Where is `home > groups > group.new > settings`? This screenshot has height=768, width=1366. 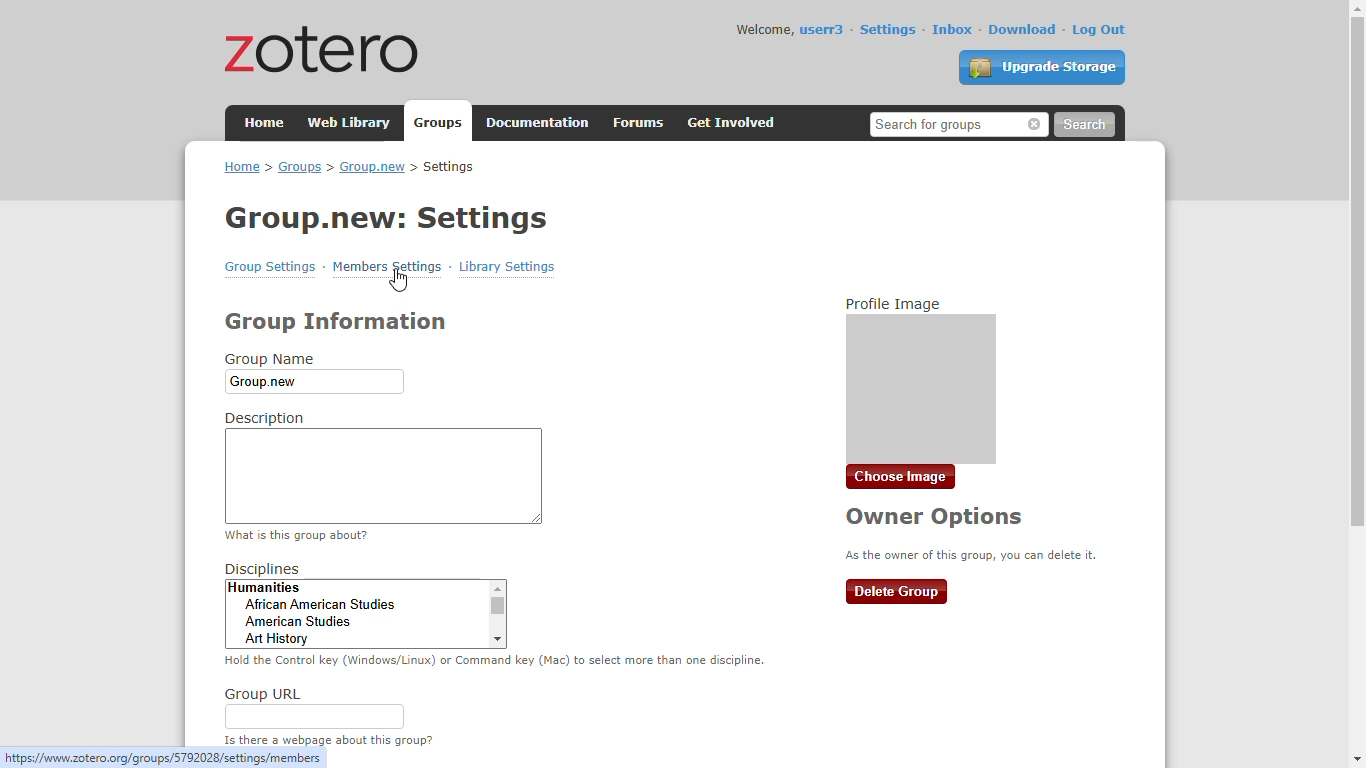 home > groups > group.new > settings is located at coordinates (349, 167).